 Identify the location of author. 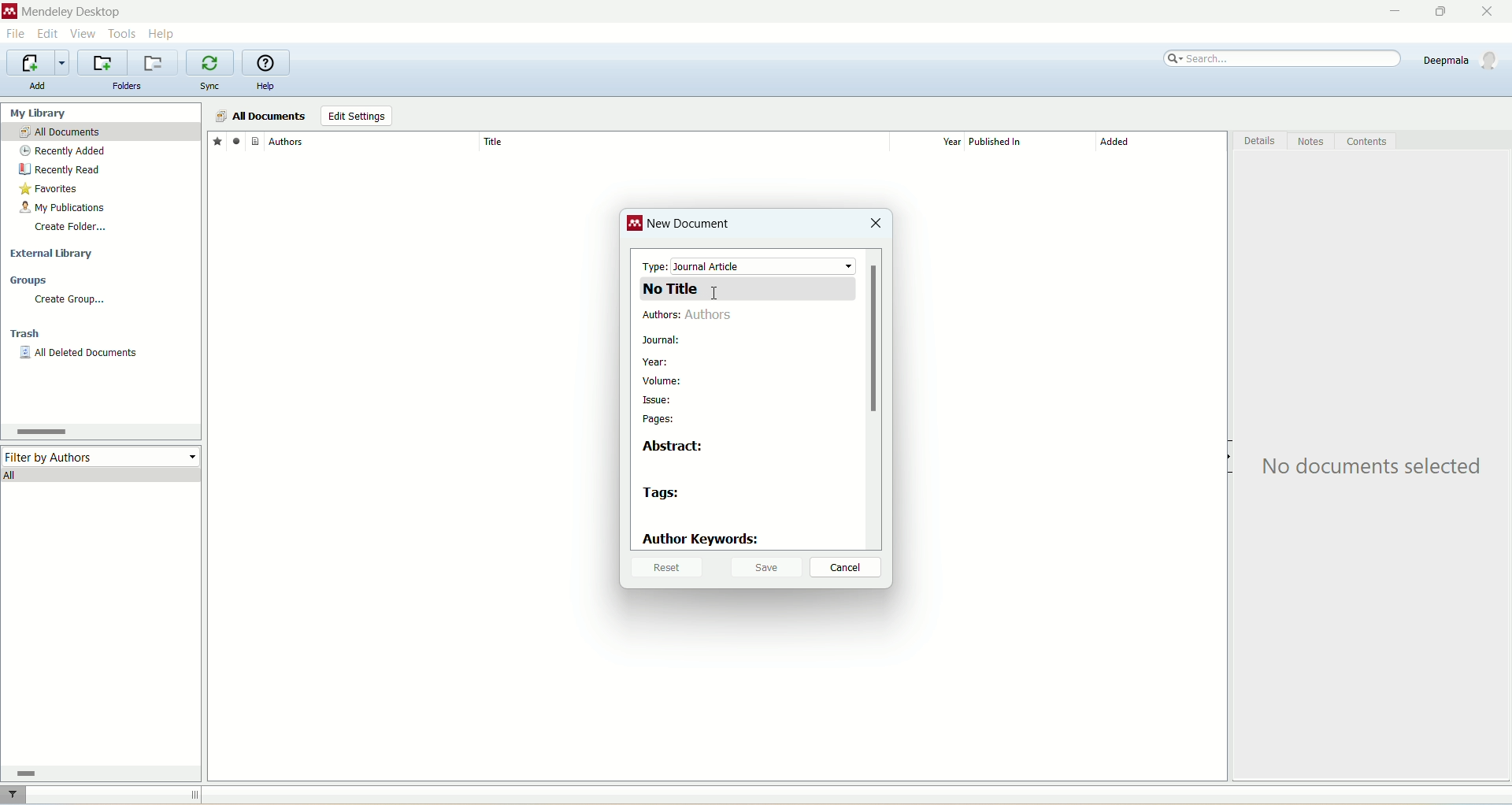
(373, 142).